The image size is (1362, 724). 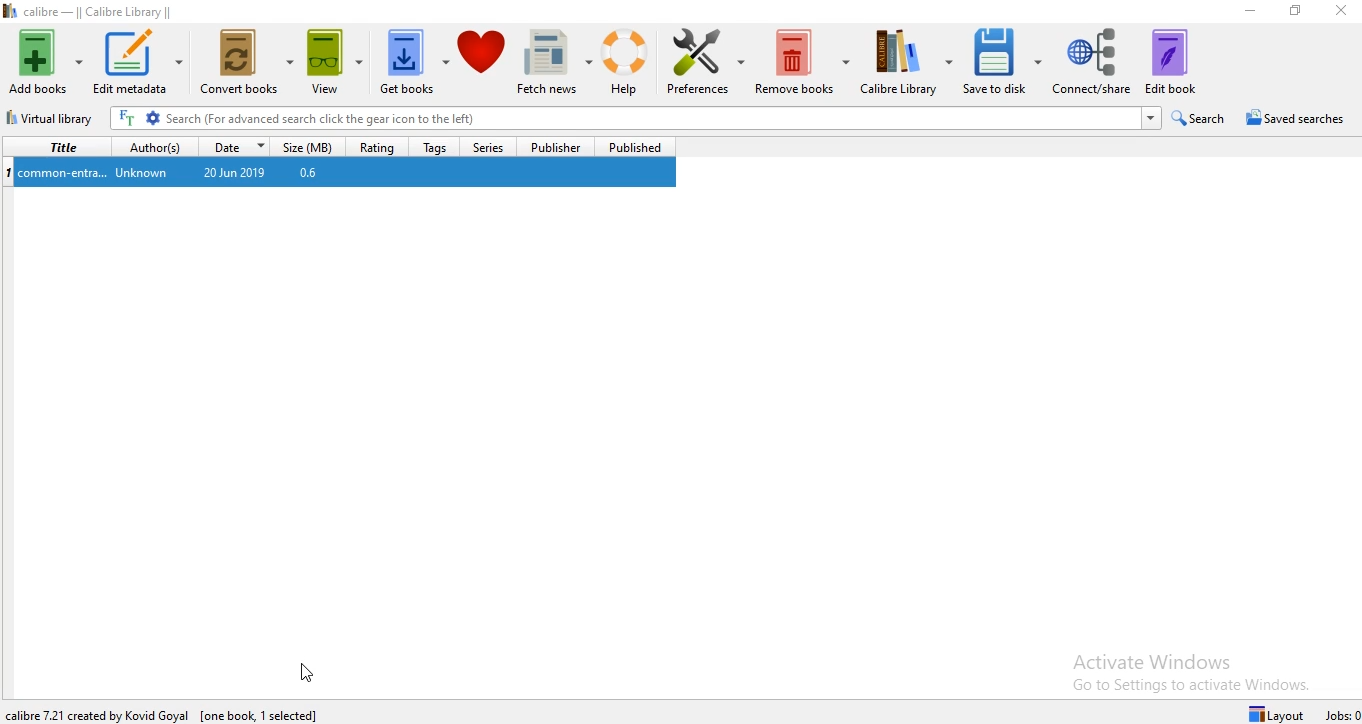 I want to click on 0.6, so click(x=308, y=174).